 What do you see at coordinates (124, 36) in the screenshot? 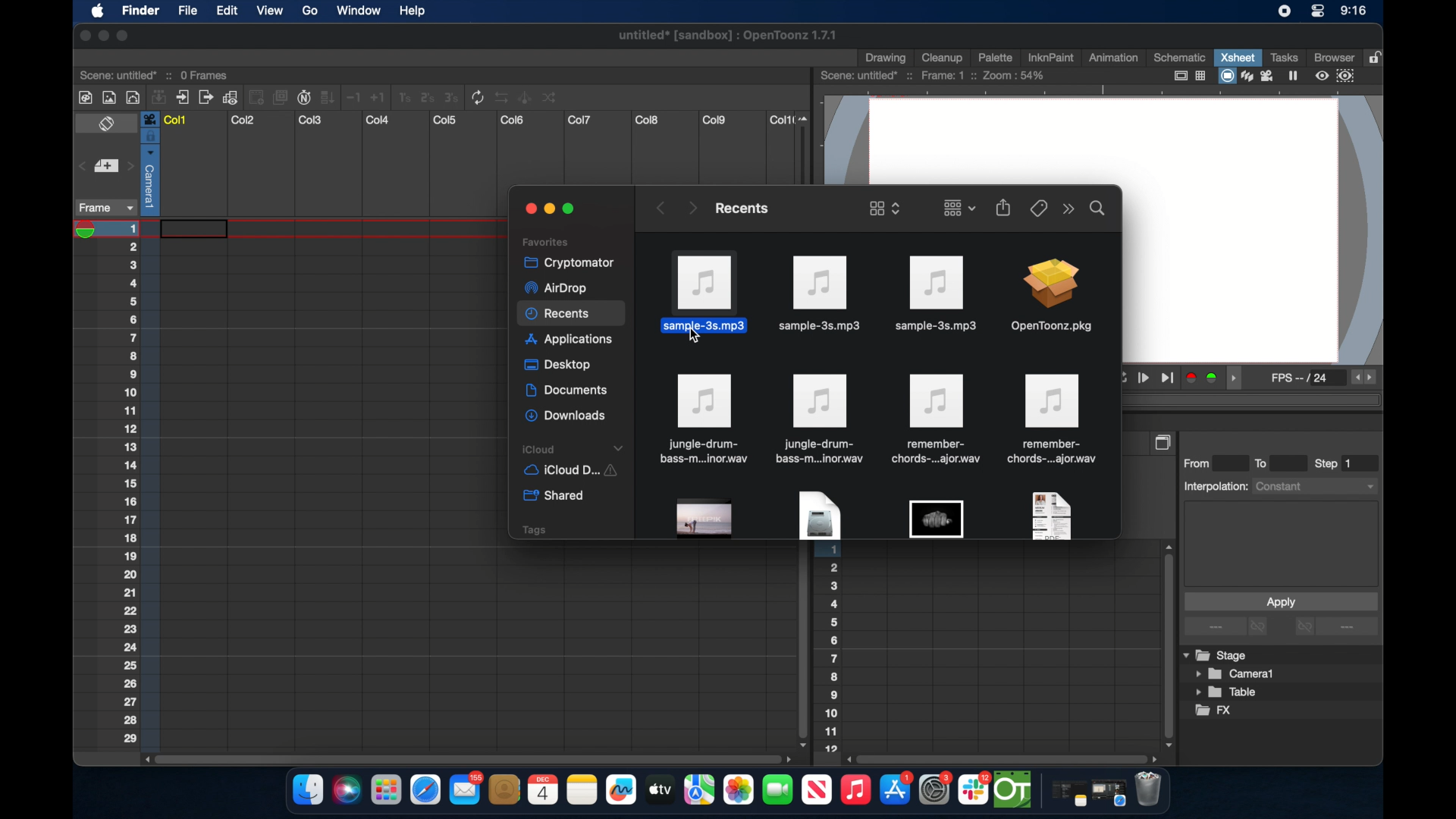
I see `maximize` at bounding box center [124, 36].